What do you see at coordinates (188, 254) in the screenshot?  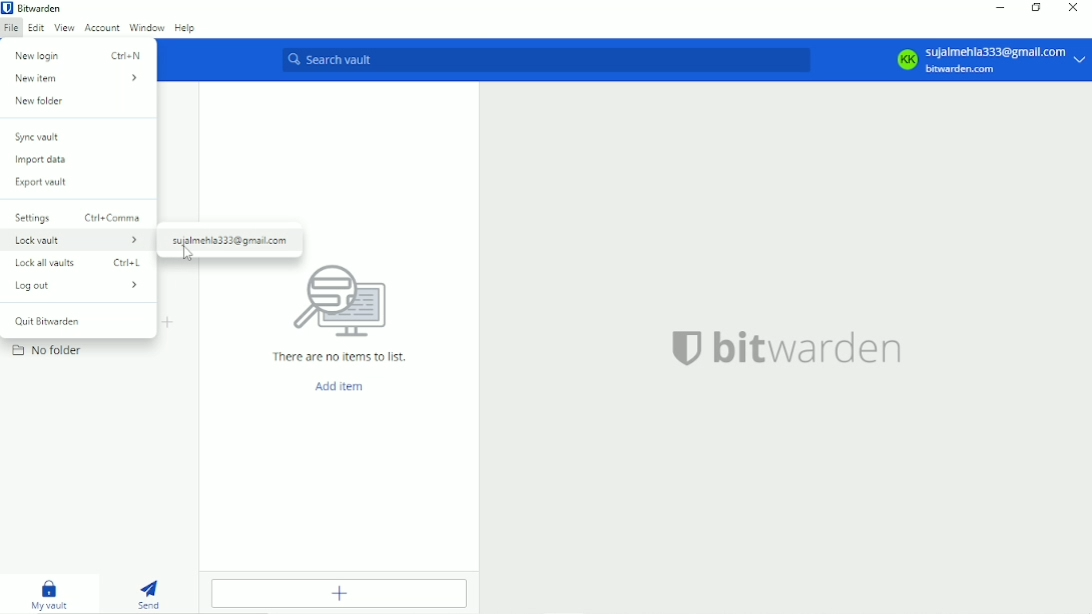 I see `cursor` at bounding box center [188, 254].